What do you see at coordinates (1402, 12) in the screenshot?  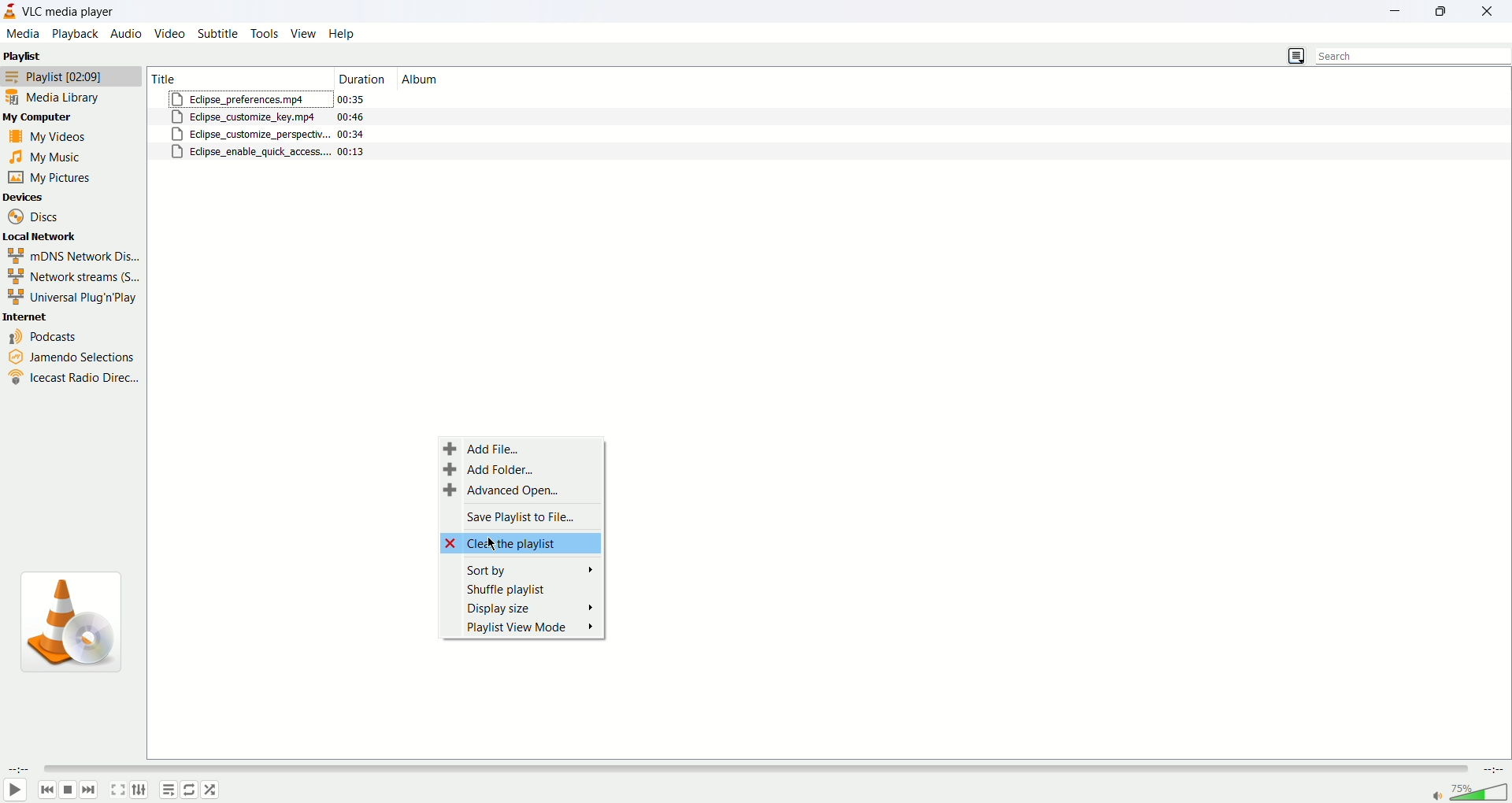 I see `minimize` at bounding box center [1402, 12].